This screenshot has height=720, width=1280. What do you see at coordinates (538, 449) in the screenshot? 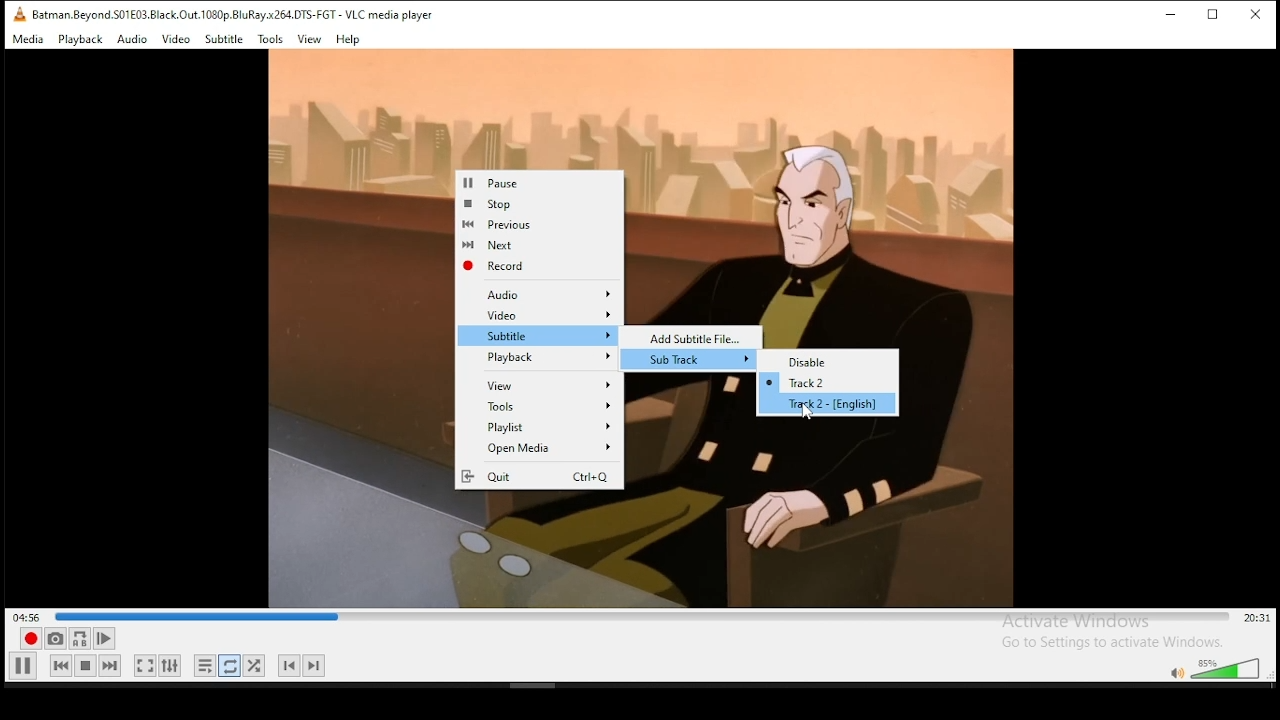
I see `‘Open Media ` at bounding box center [538, 449].